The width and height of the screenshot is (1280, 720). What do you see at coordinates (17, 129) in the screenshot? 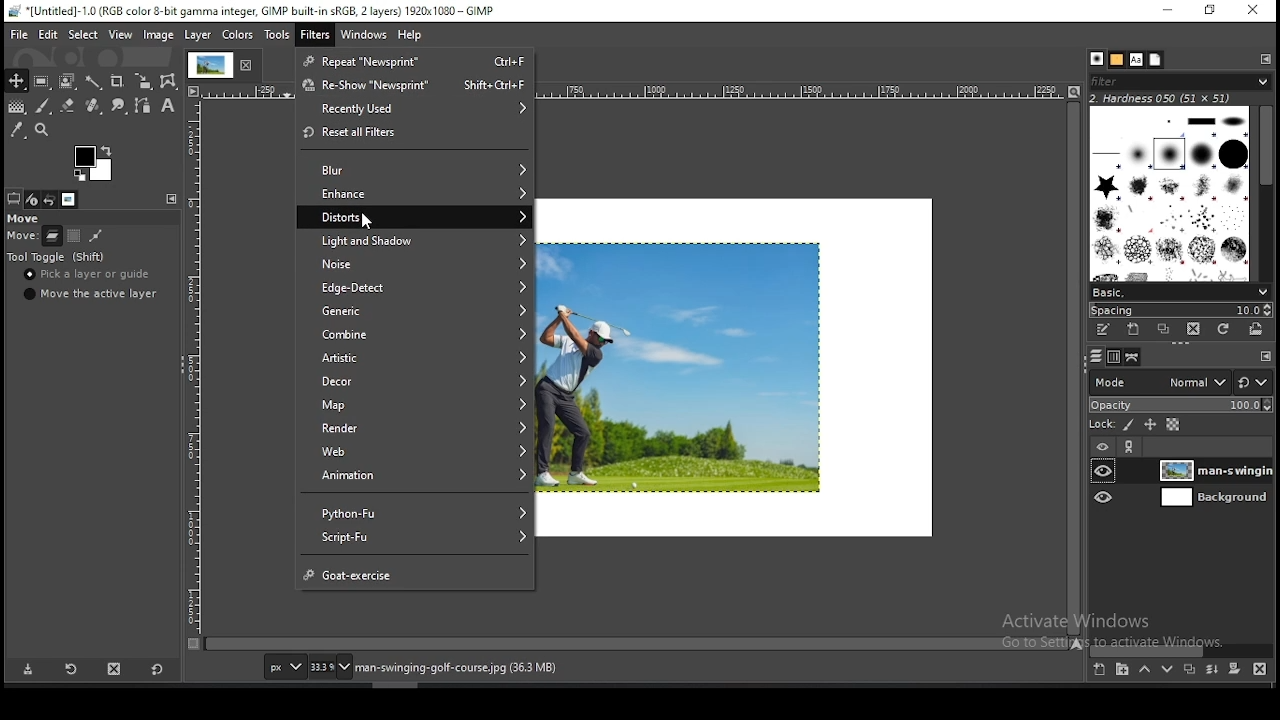
I see `color picker tool` at bounding box center [17, 129].